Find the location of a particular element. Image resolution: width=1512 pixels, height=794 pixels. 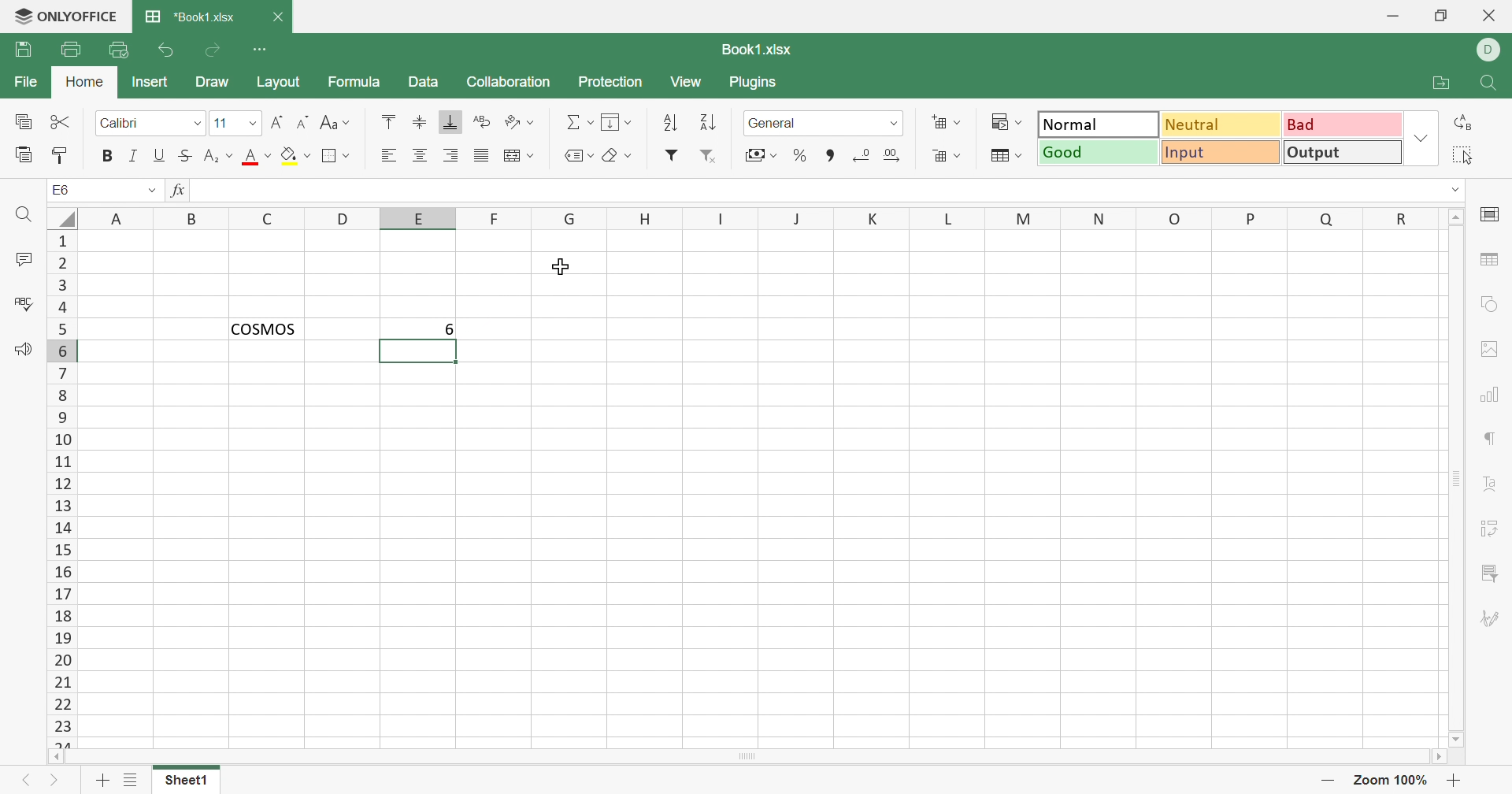

Draw is located at coordinates (213, 83).